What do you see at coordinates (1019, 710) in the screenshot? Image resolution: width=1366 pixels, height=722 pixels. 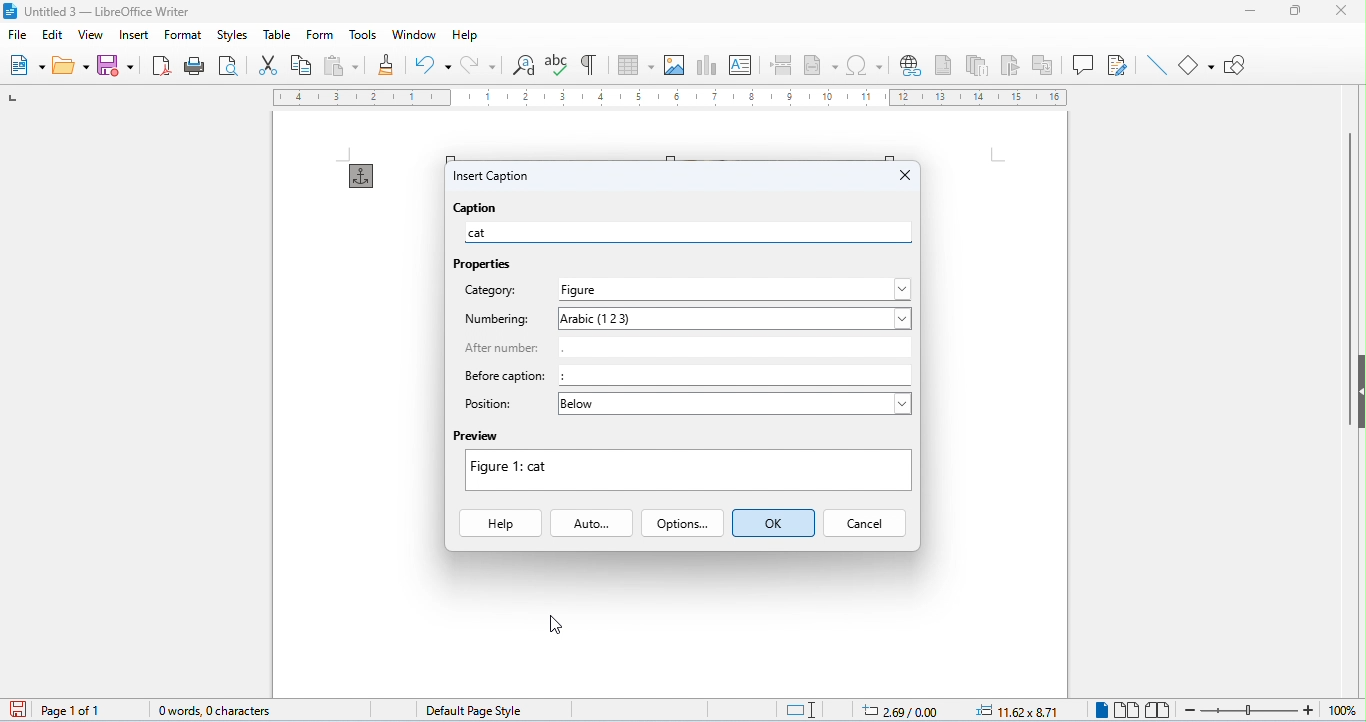 I see `object position` at bounding box center [1019, 710].